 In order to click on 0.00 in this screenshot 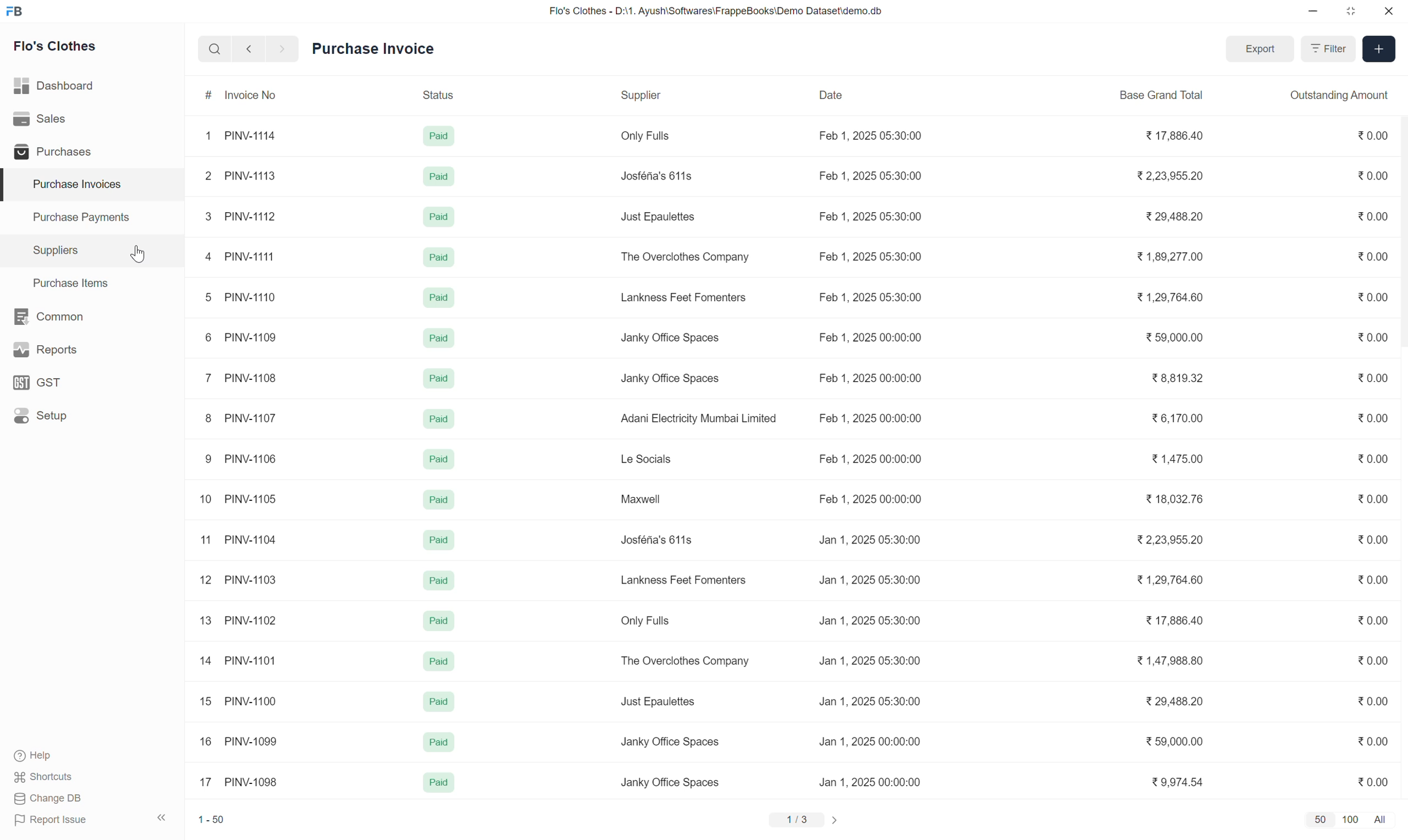, I will do `click(1372, 418)`.